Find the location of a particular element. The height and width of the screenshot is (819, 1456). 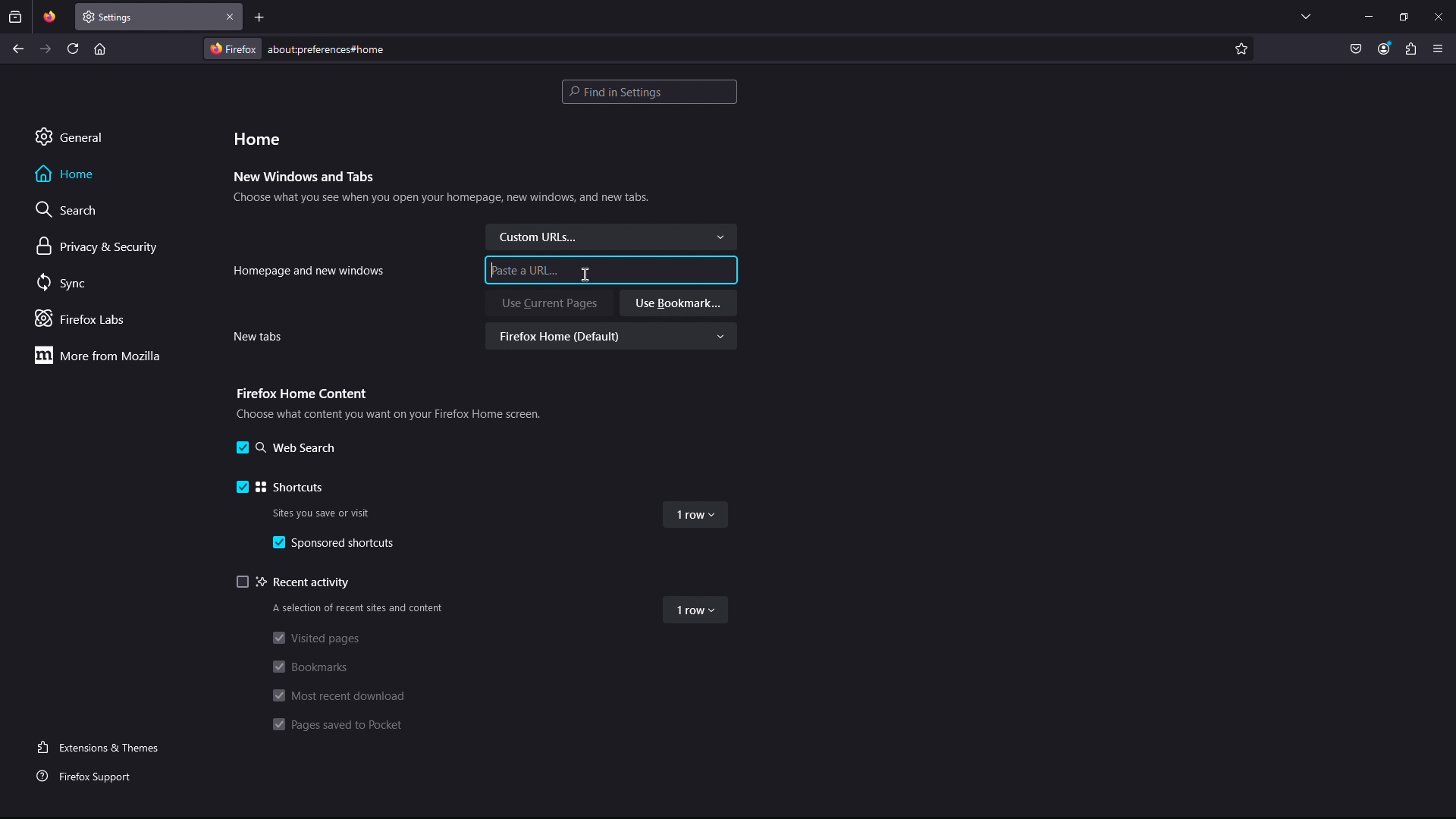

Application Menu is located at coordinates (1439, 50).